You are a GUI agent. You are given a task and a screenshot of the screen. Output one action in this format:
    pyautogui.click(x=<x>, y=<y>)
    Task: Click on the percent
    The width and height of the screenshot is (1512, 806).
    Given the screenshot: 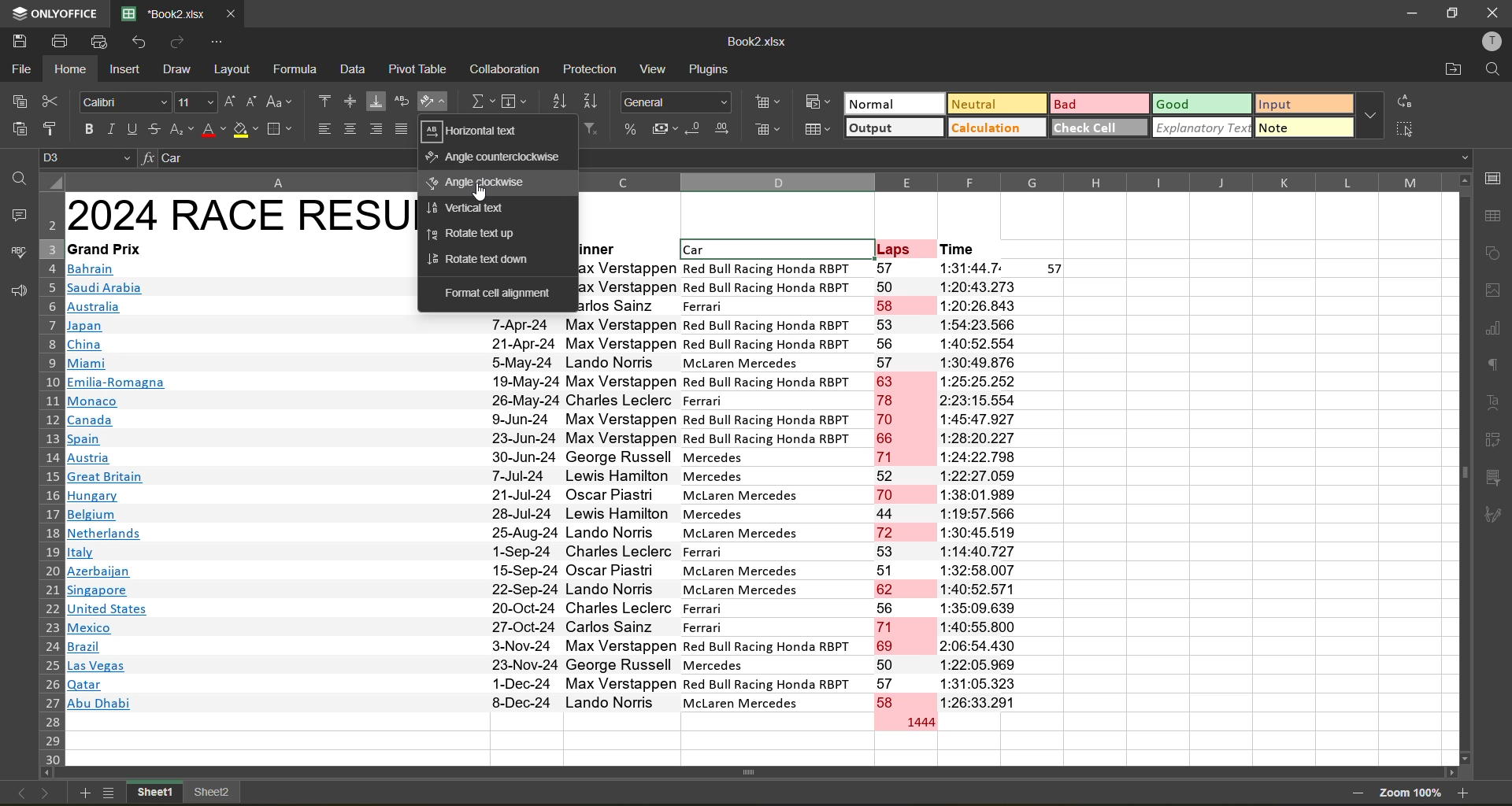 What is the action you would take?
    pyautogui.click(x=632, y=130)
    